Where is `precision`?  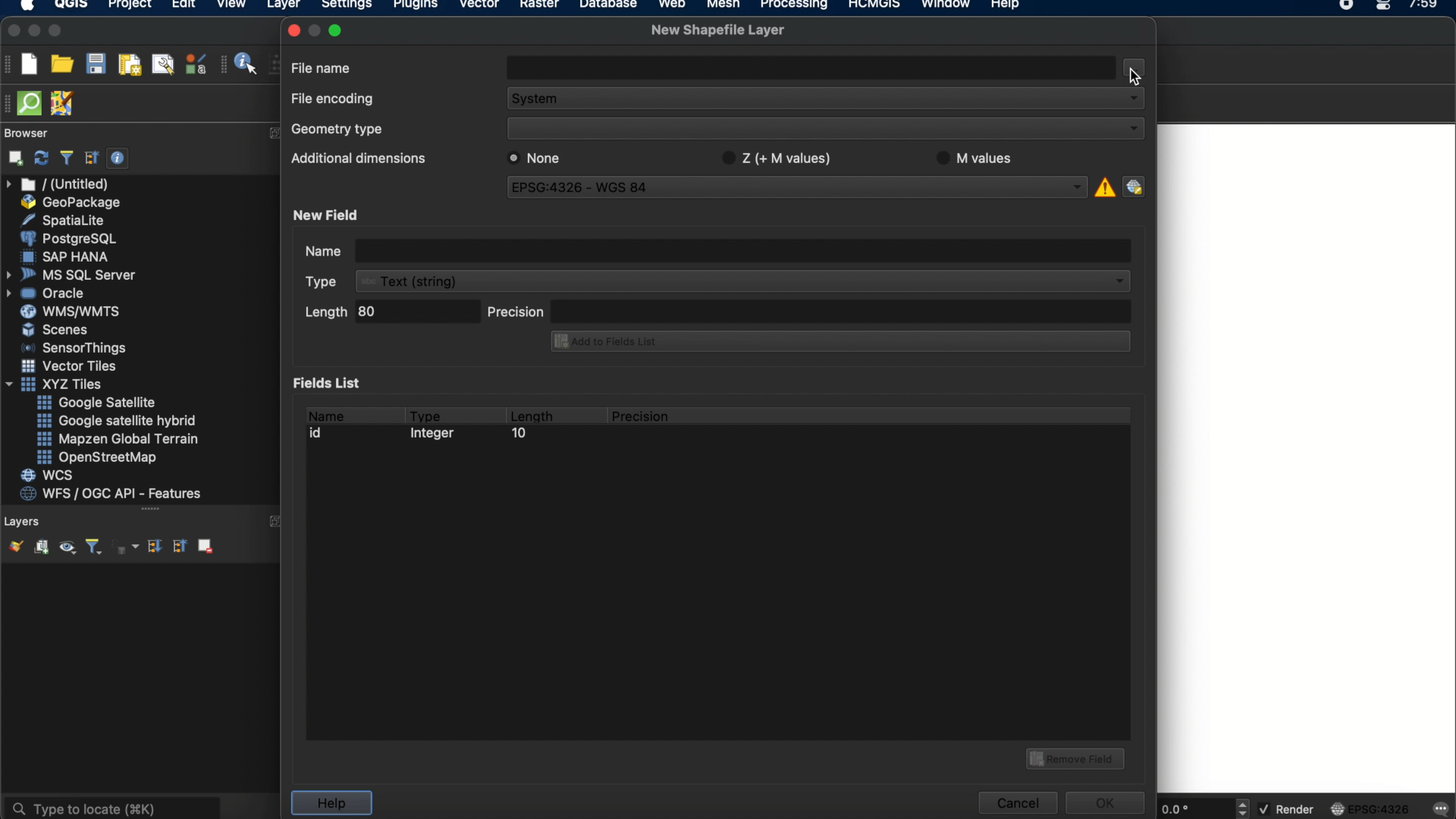 precision is located at coordinates (642, 416).